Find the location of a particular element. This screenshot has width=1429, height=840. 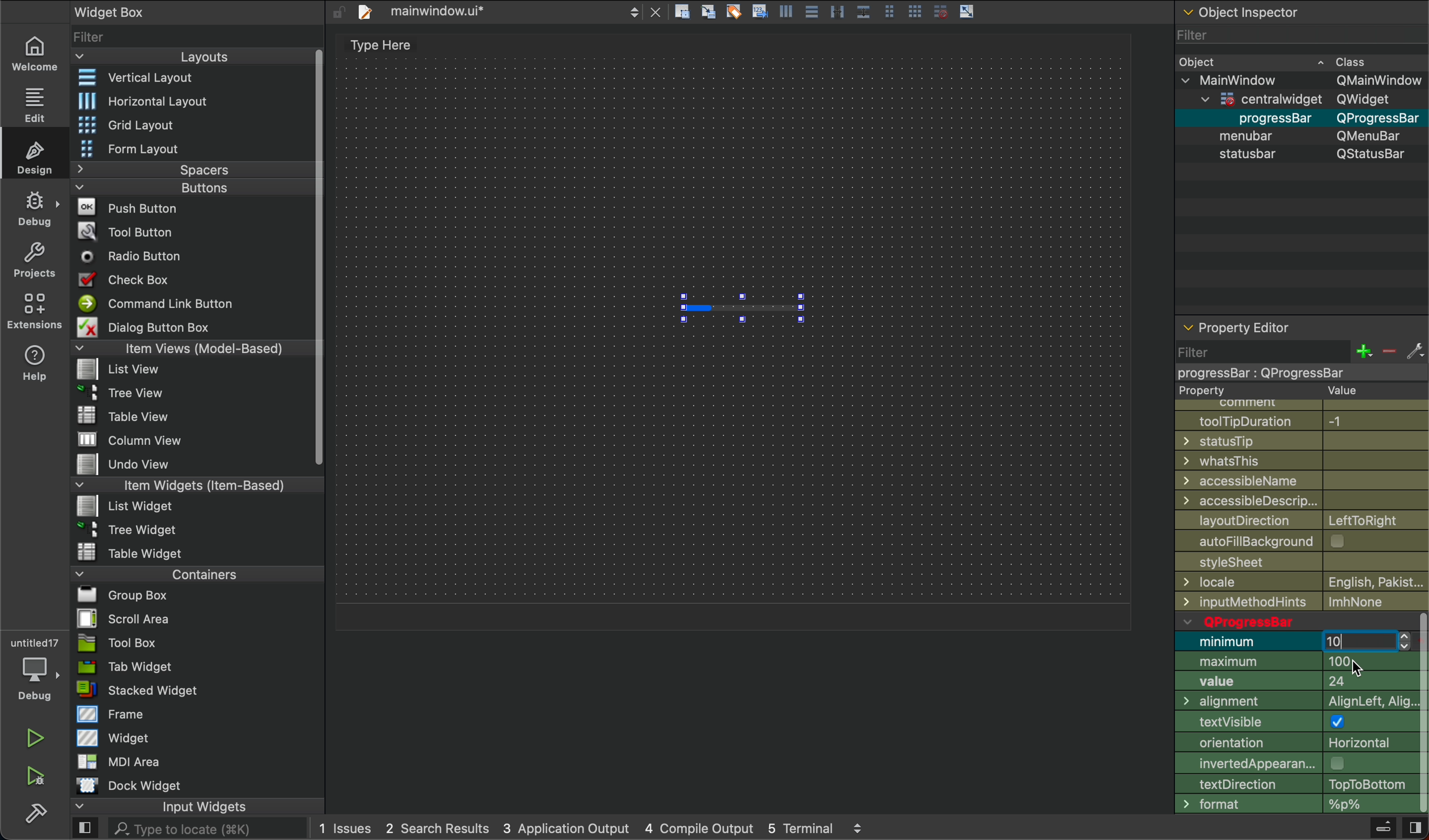

File is located at coordinates (123, 370).